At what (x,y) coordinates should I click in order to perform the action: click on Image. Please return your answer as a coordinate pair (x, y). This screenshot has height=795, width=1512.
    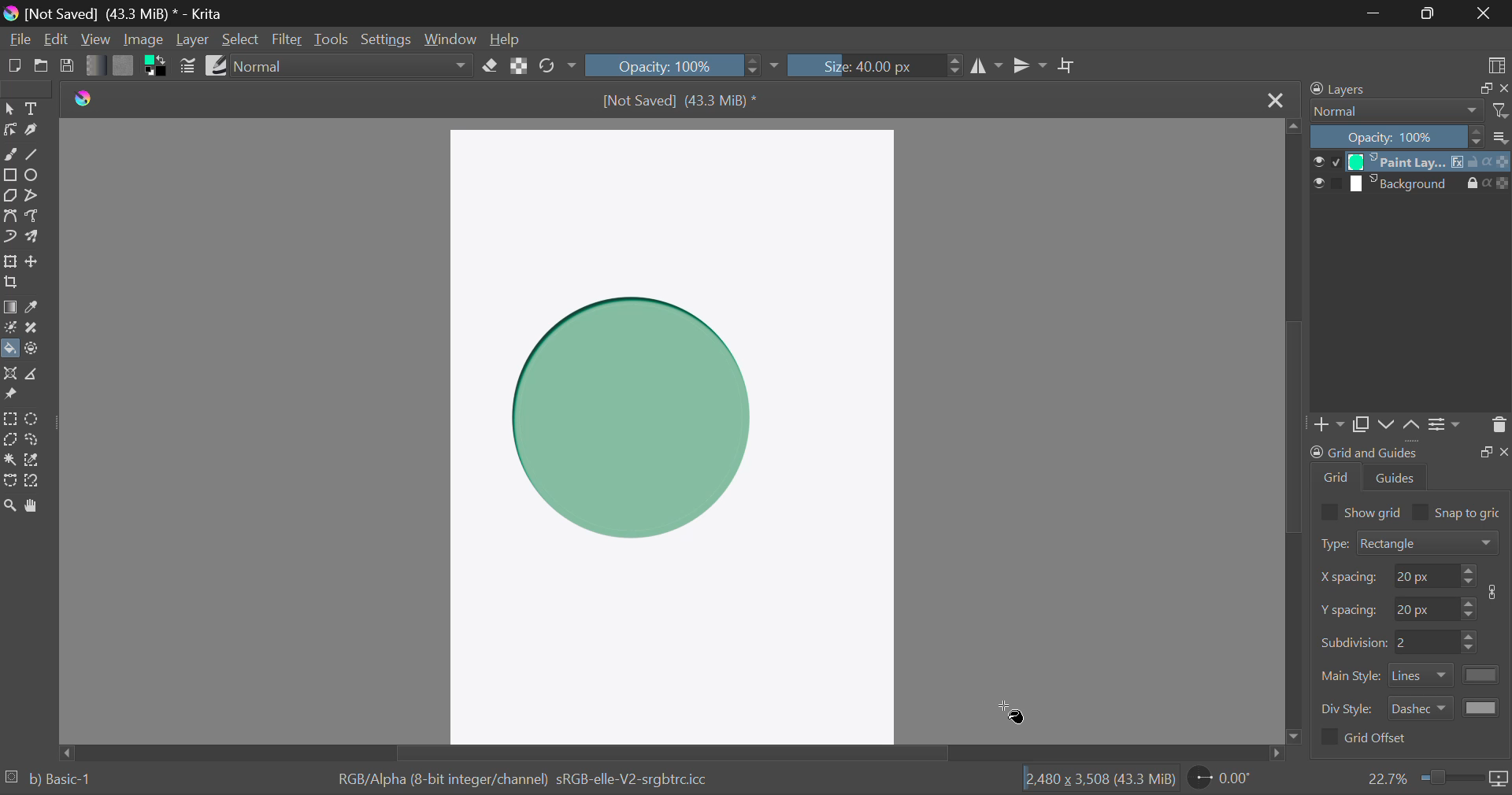
    Looking at the image, I should click on (141, 40).